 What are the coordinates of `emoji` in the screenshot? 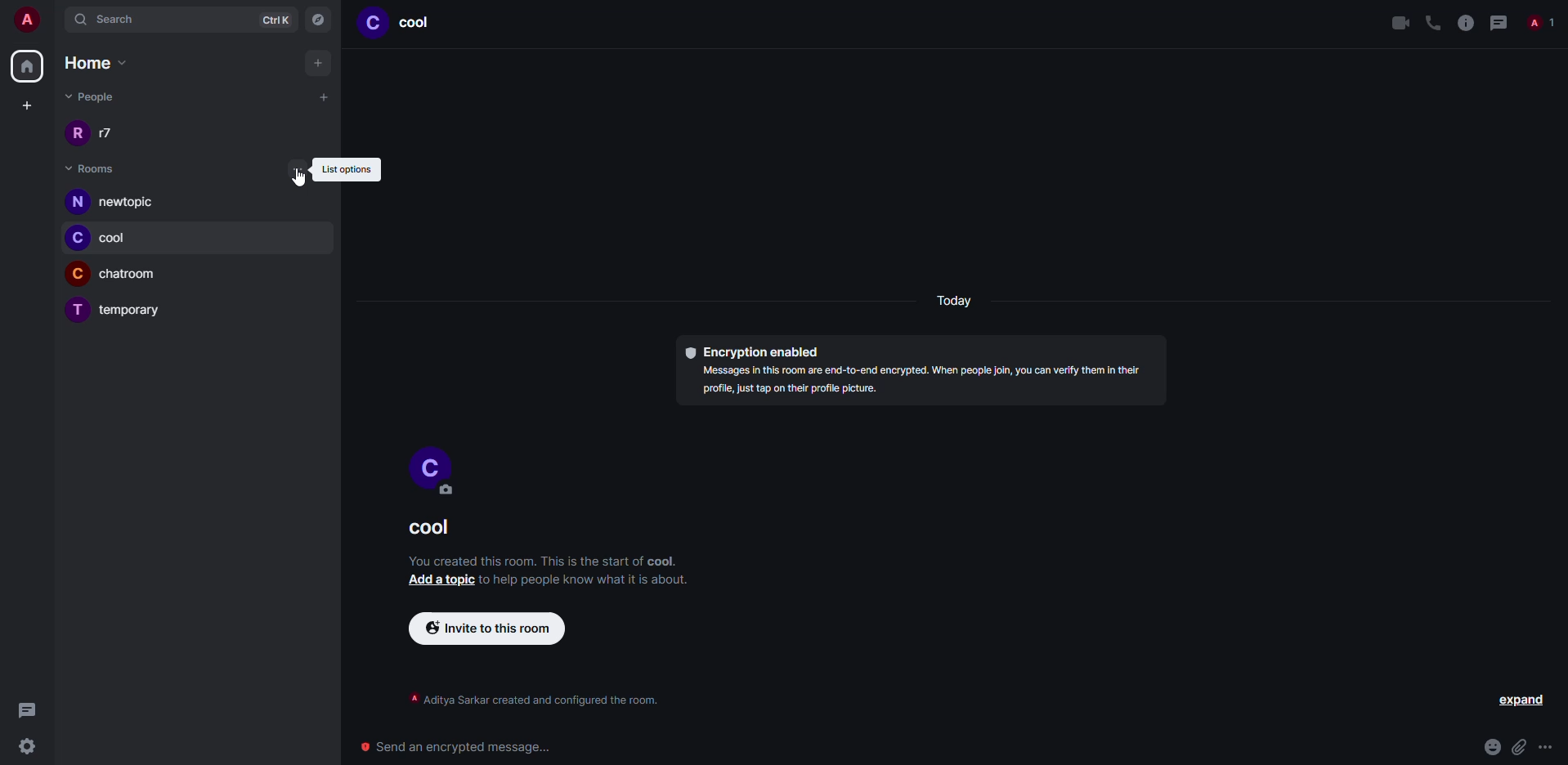 It's located at (1490, 747).